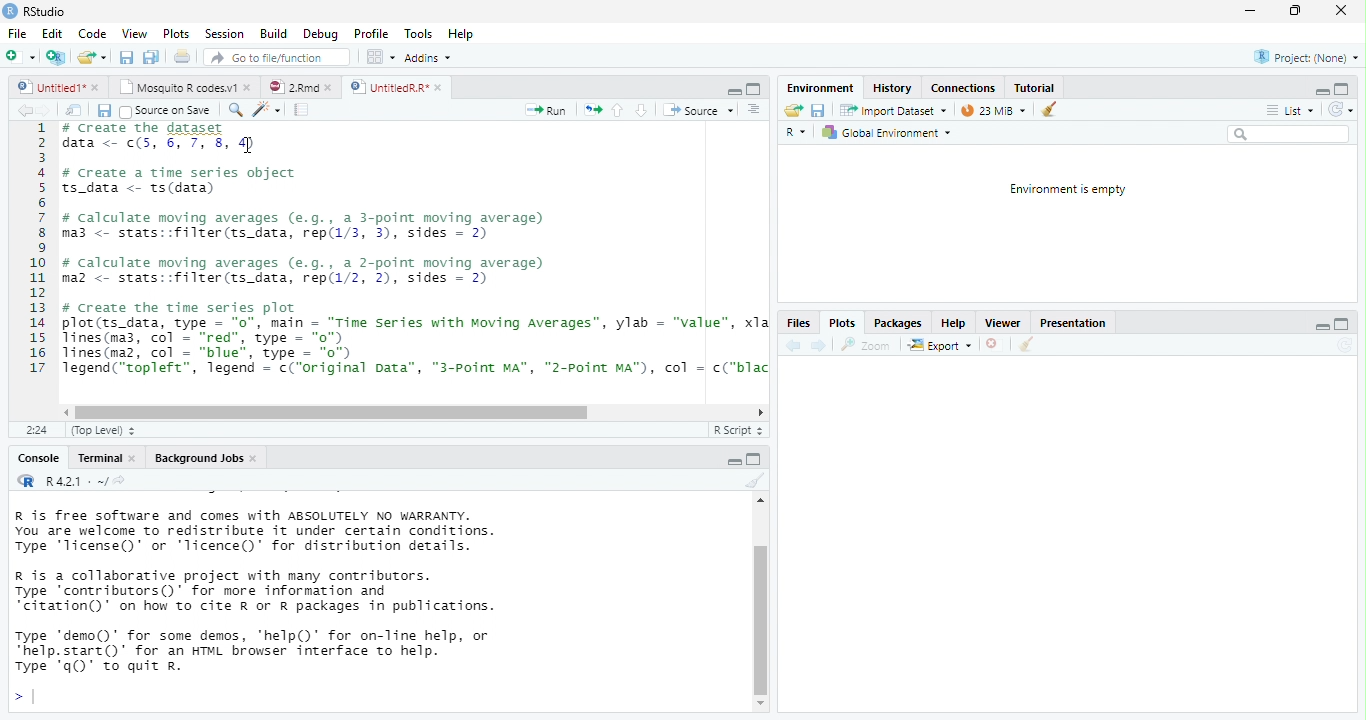  What do you see at coordinates (1049, 108) in the screenshot?
I see `clear` at bounding box center [1049, 108].